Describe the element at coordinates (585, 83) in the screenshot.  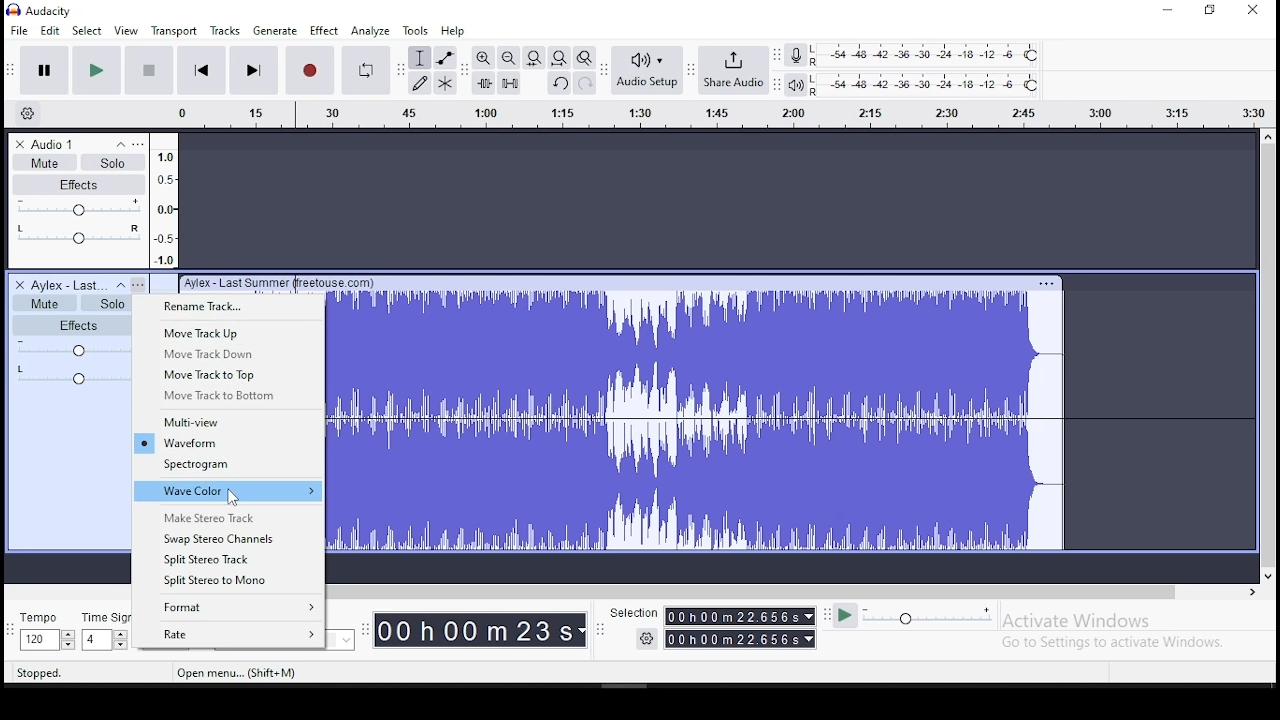
I see `redo` at that location.